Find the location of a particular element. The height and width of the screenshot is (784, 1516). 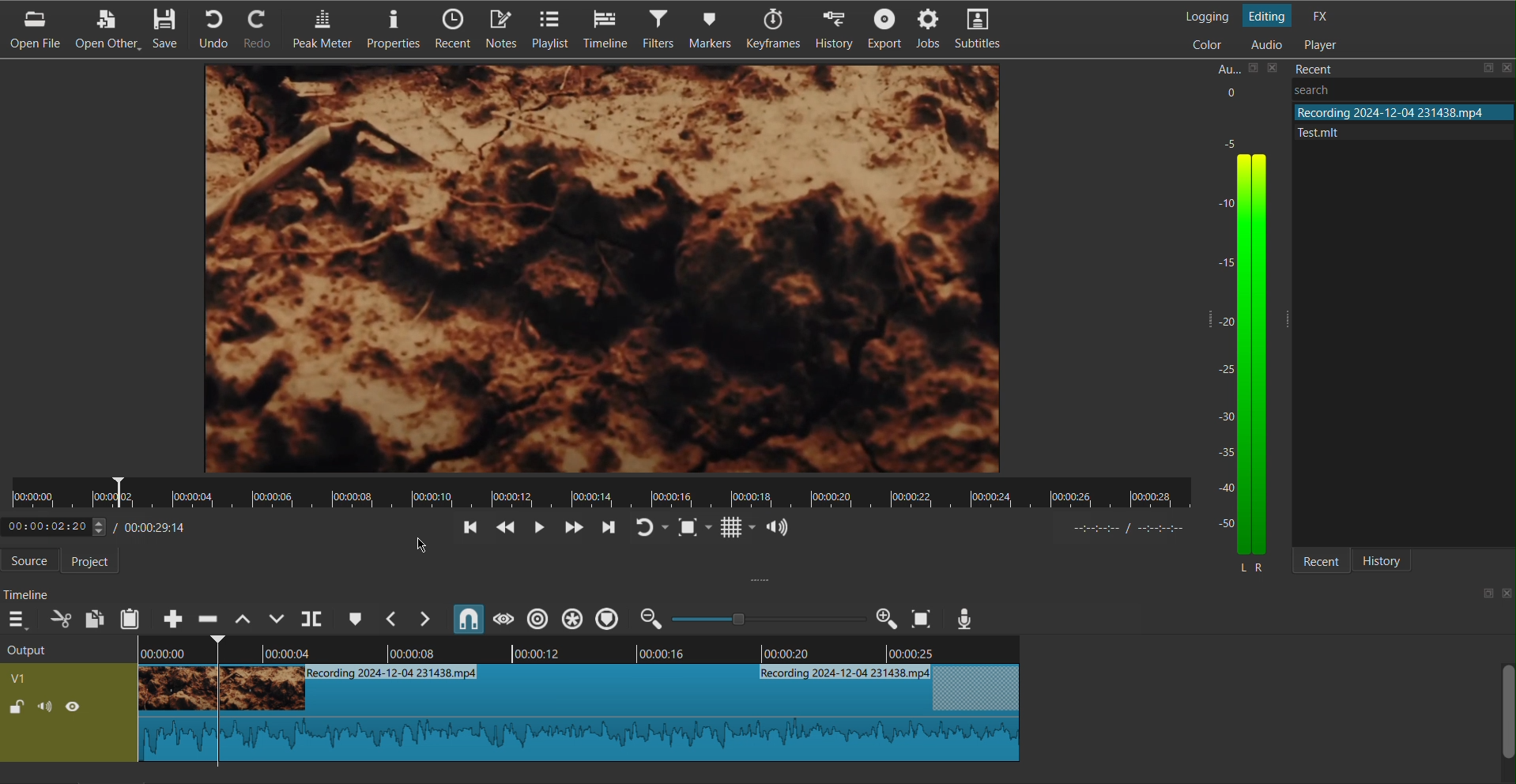

timer format is located at coordinates (1135, 528).